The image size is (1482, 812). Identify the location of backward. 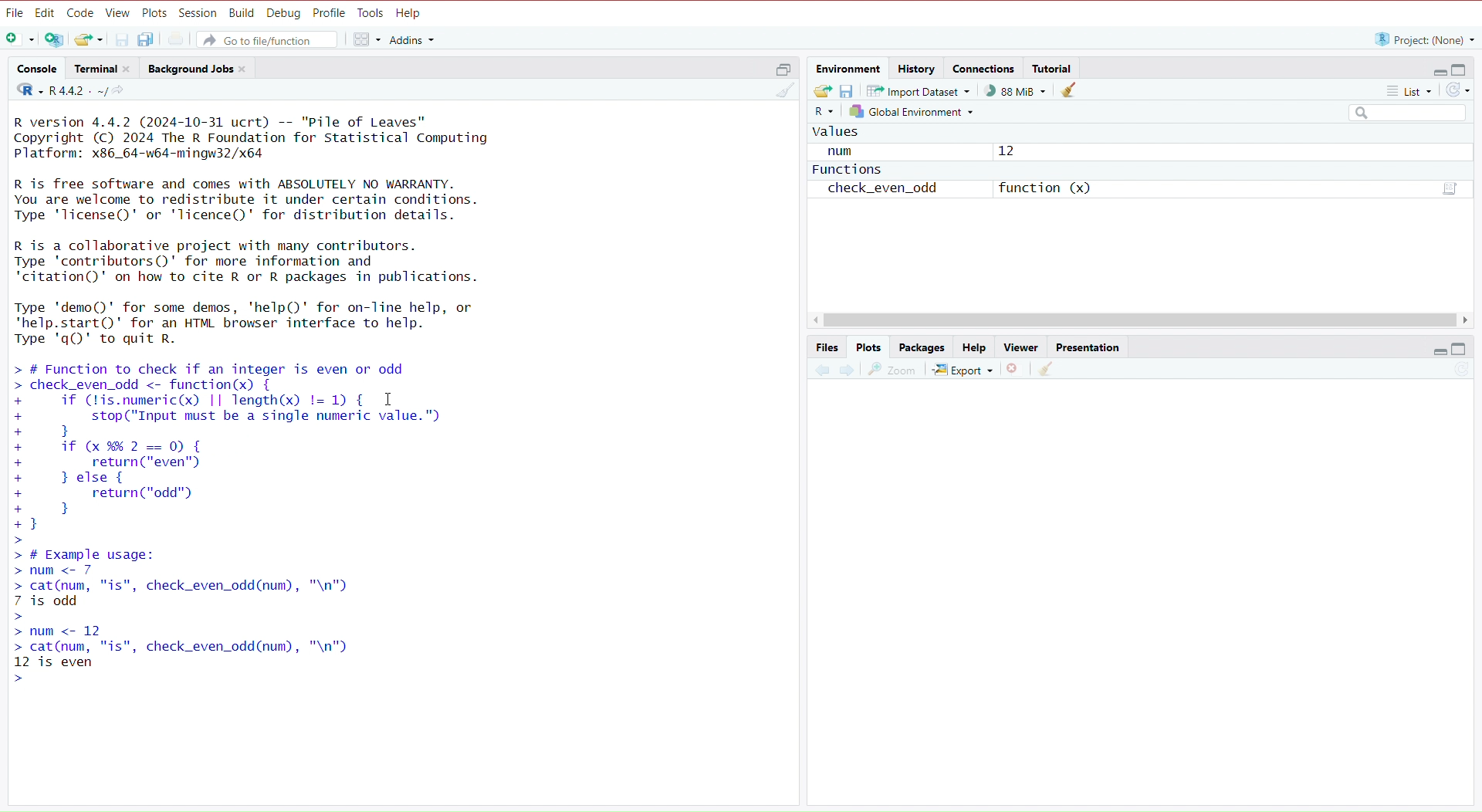
(821, 374).